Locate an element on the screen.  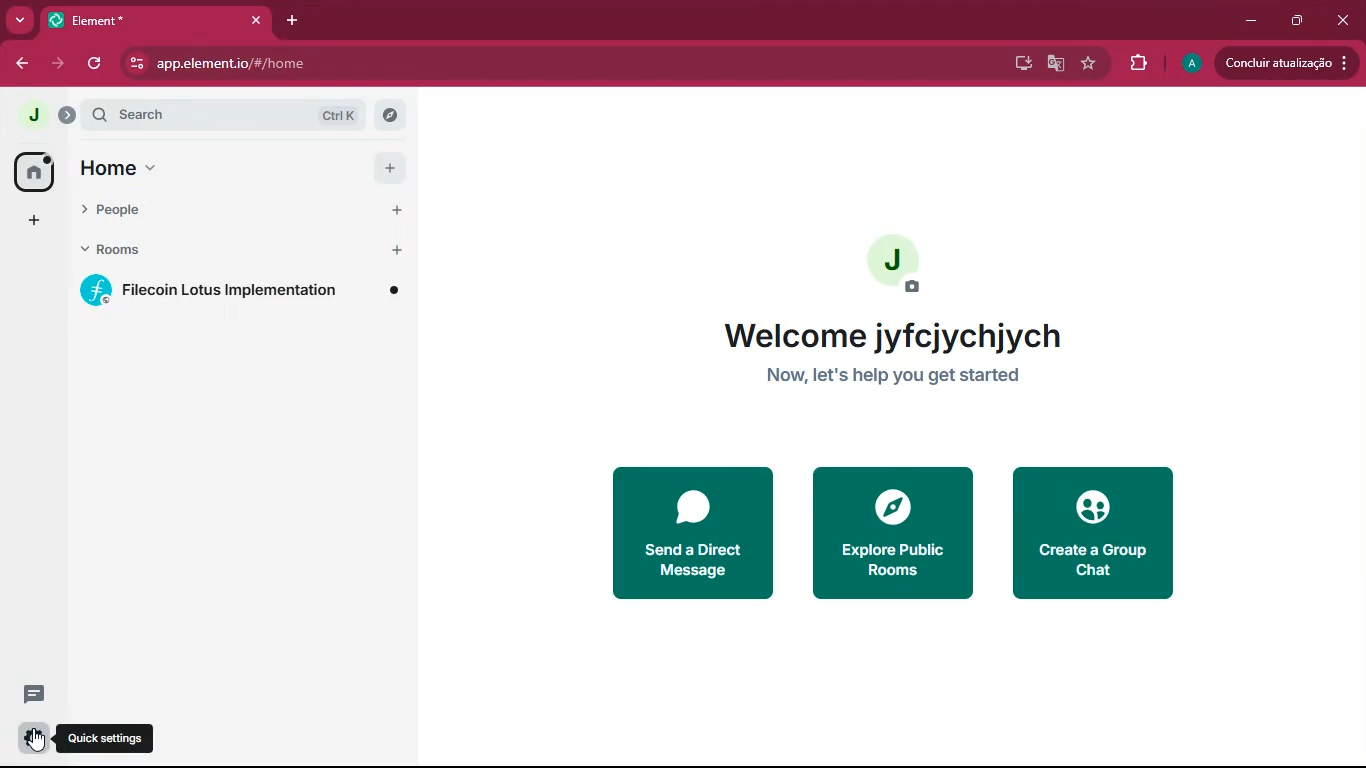
create a group chat is located at coordinates (1103, 529).